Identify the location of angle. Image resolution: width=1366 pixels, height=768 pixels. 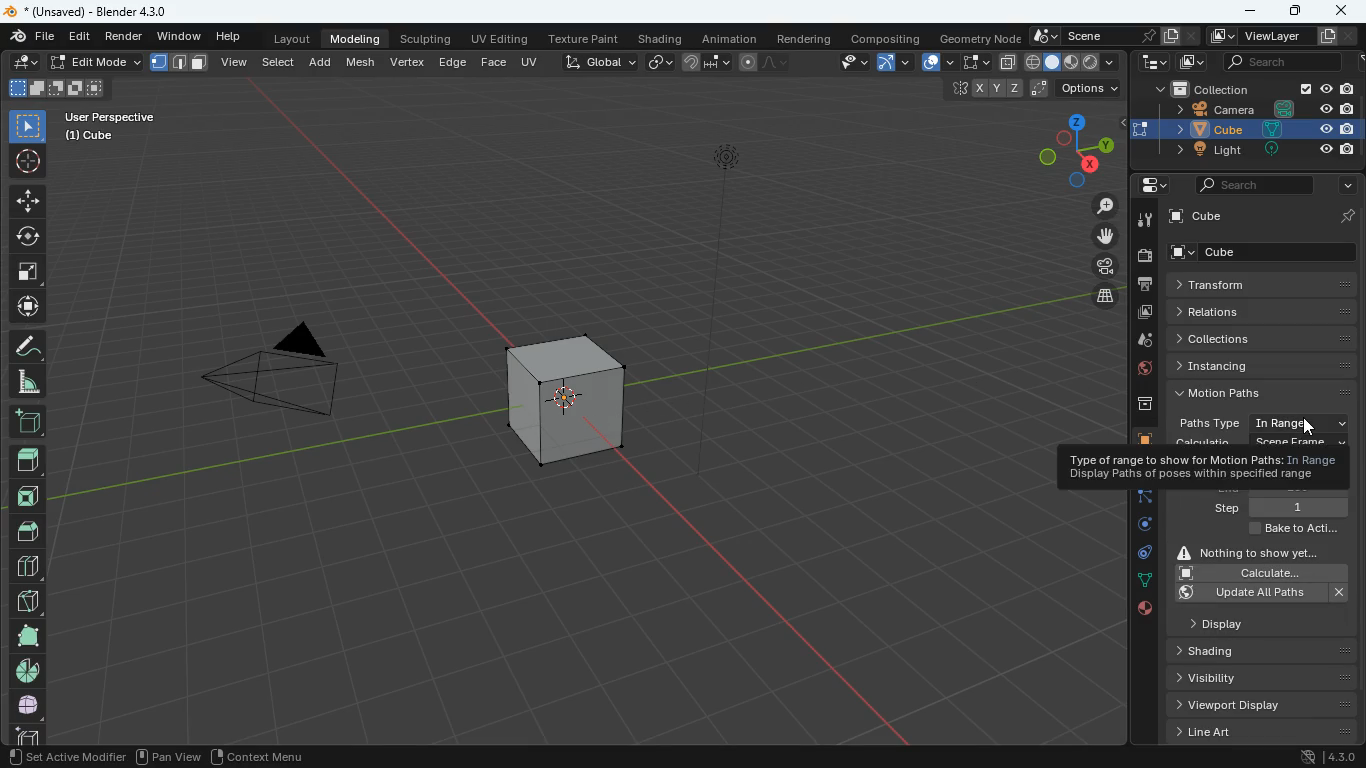
(31, 381).